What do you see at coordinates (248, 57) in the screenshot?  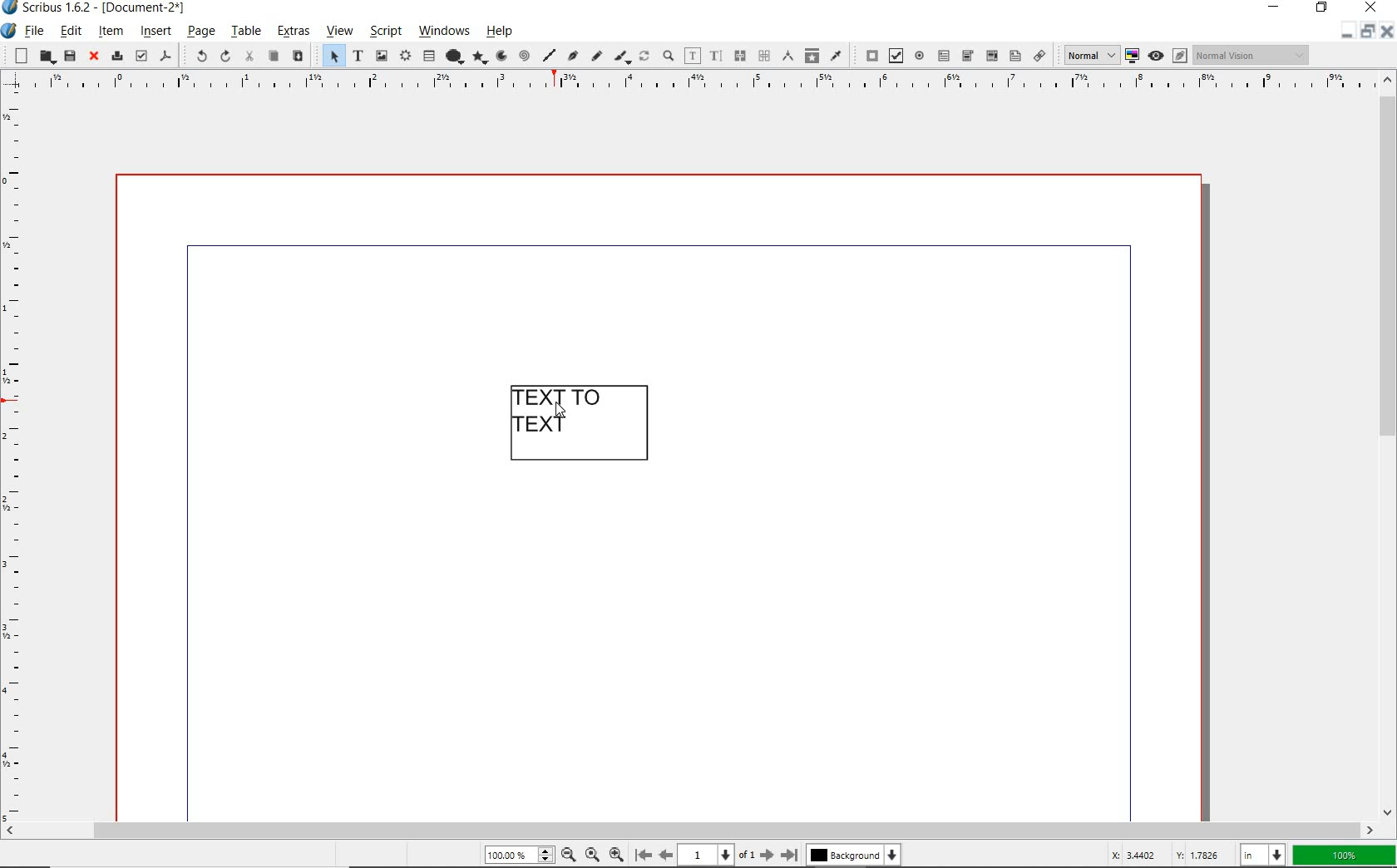 I see `cut` at bounding box center [248, 57].